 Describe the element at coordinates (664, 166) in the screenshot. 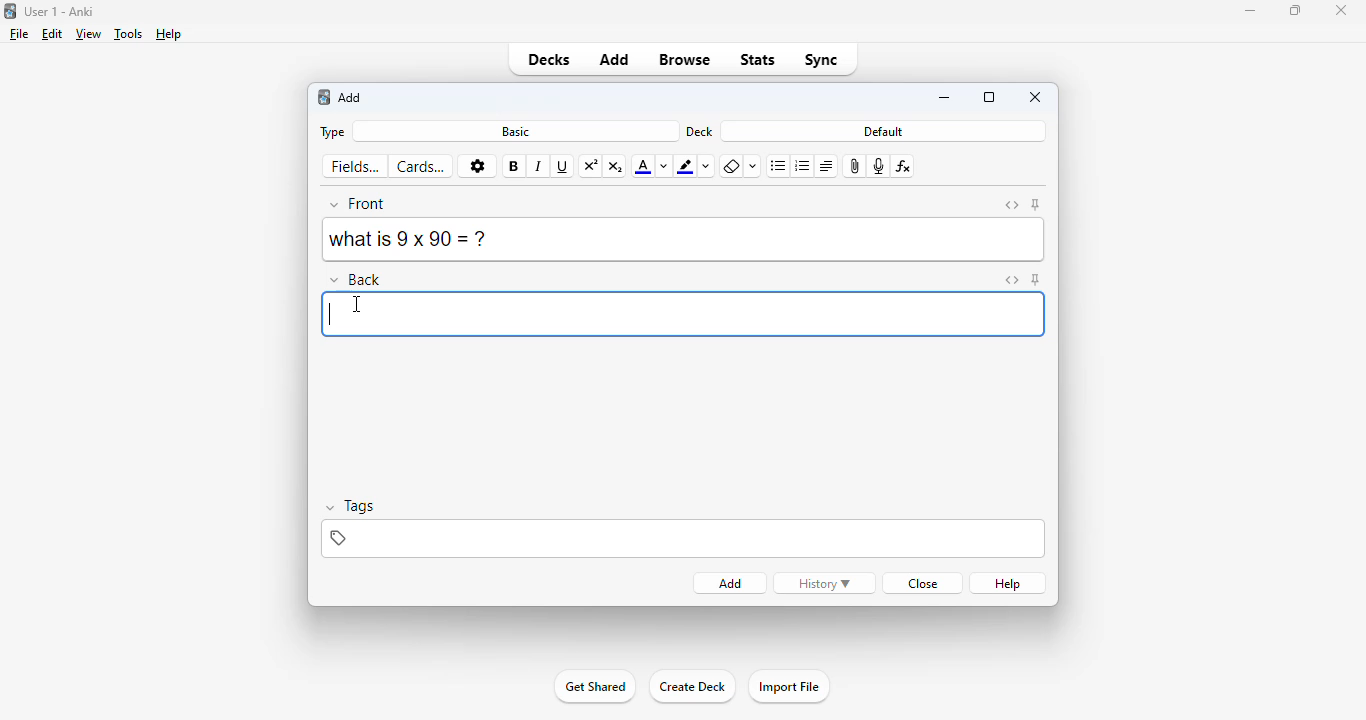

I see `change color` at that location.